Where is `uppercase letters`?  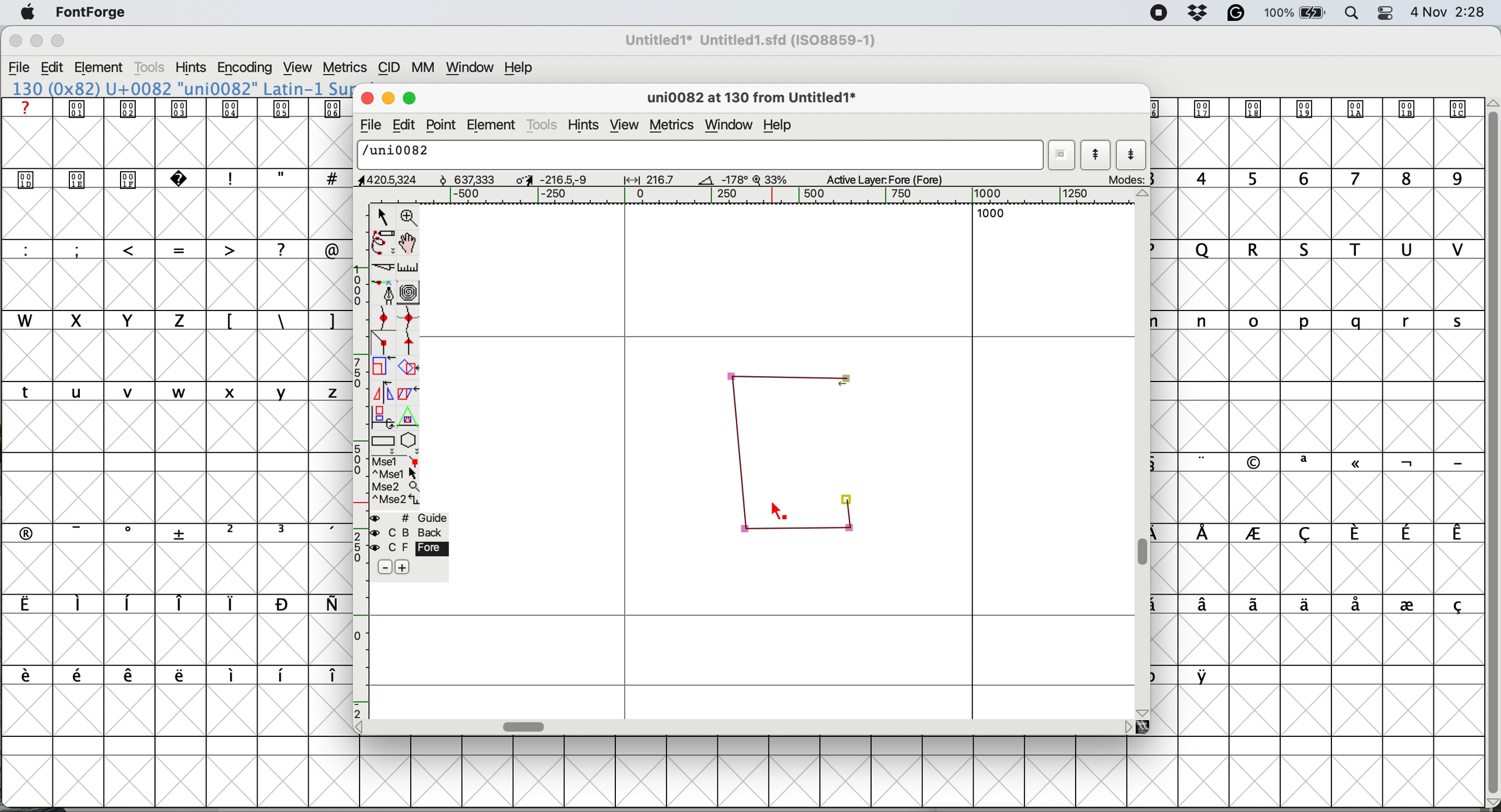 uppercase letters is located at coordinates (103, 320).